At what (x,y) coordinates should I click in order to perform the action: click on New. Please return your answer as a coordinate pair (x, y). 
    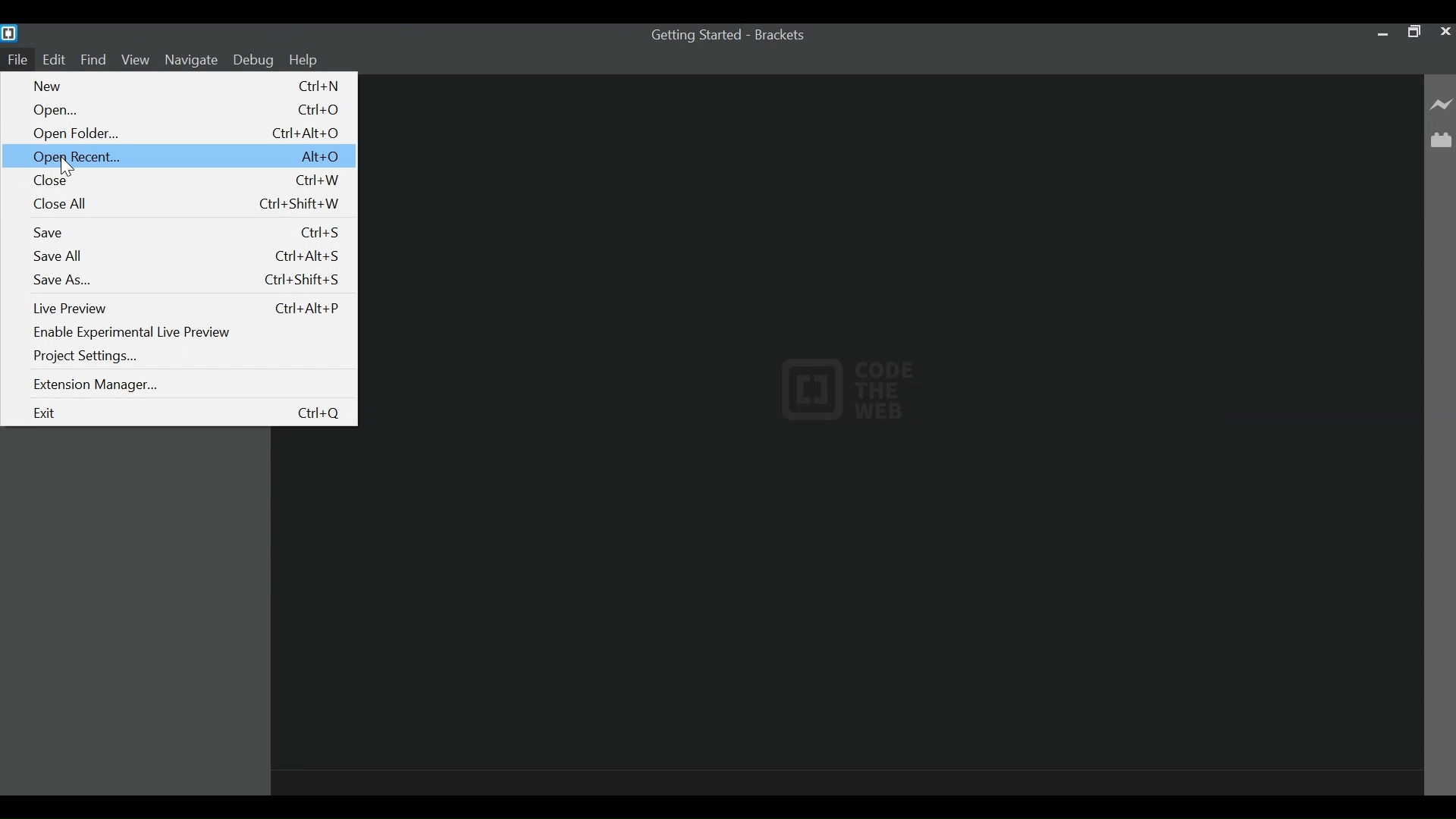
    Looking at the image, I should click on (188, 85).